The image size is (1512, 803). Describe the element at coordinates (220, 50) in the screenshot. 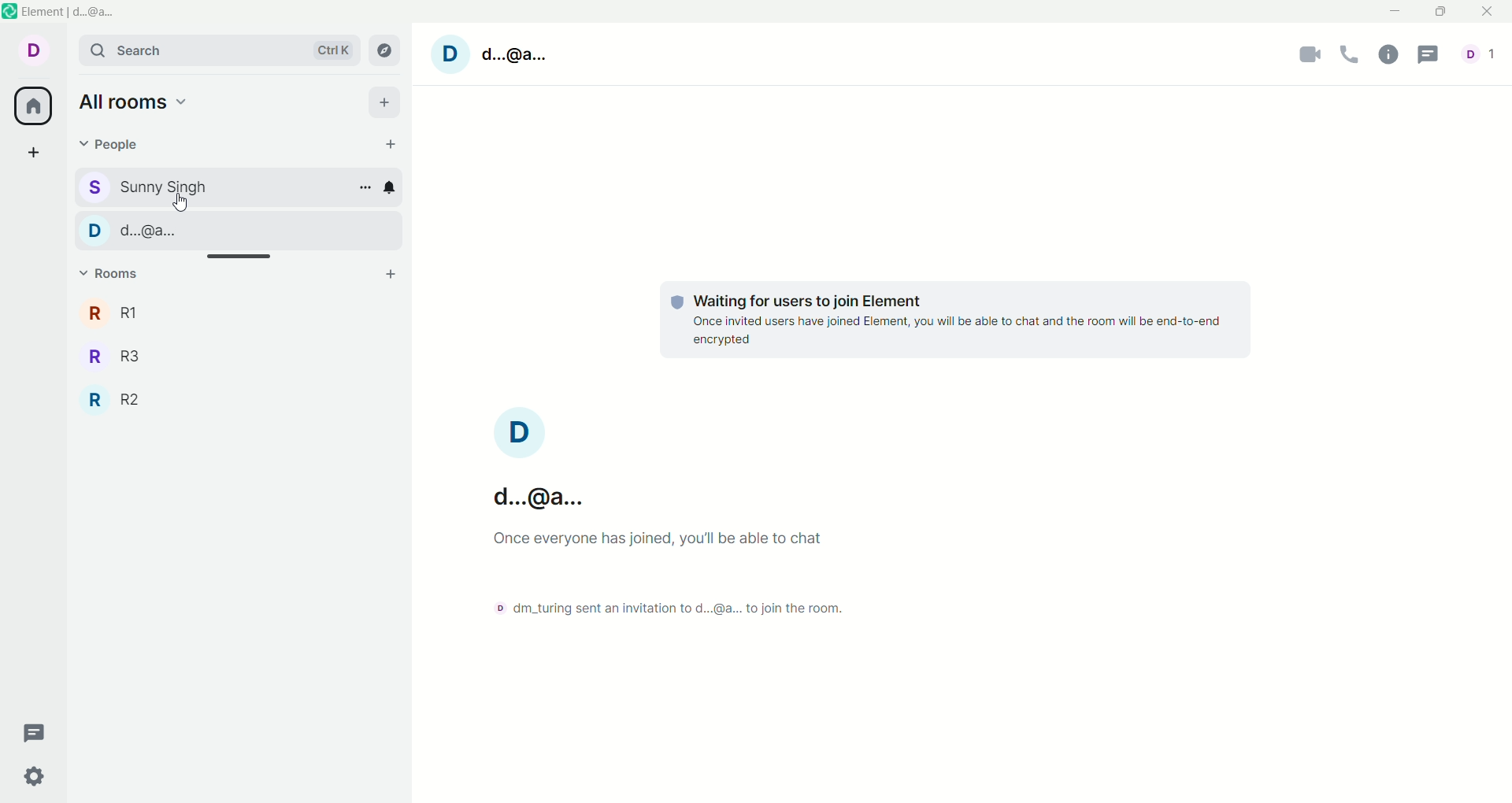

I see `search` at that location.